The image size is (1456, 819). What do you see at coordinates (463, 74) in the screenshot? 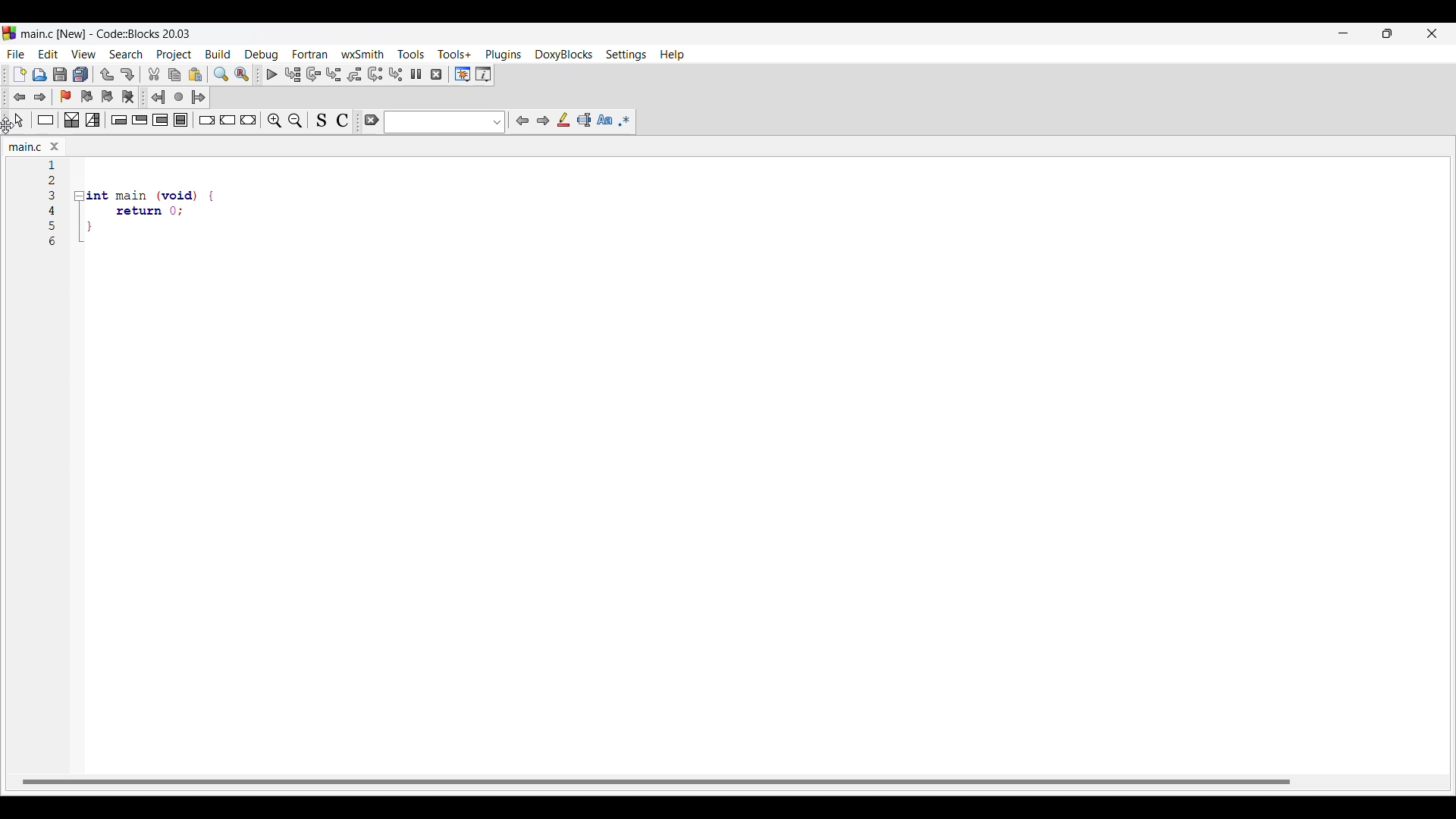
I see `Debugging windows` at bounding box center [463, 74].